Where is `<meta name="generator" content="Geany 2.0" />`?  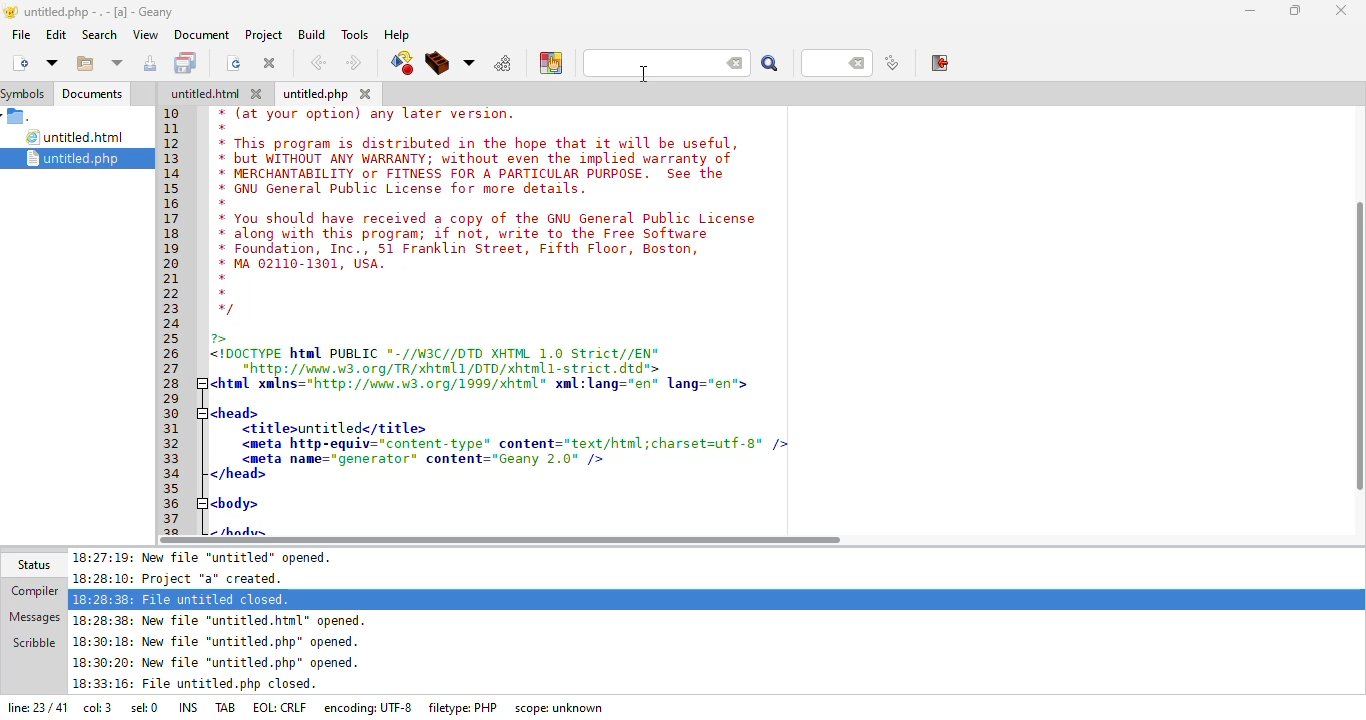
<meta name="generator" content="Geany 2.0" /> is located at coordinates (425, 459).